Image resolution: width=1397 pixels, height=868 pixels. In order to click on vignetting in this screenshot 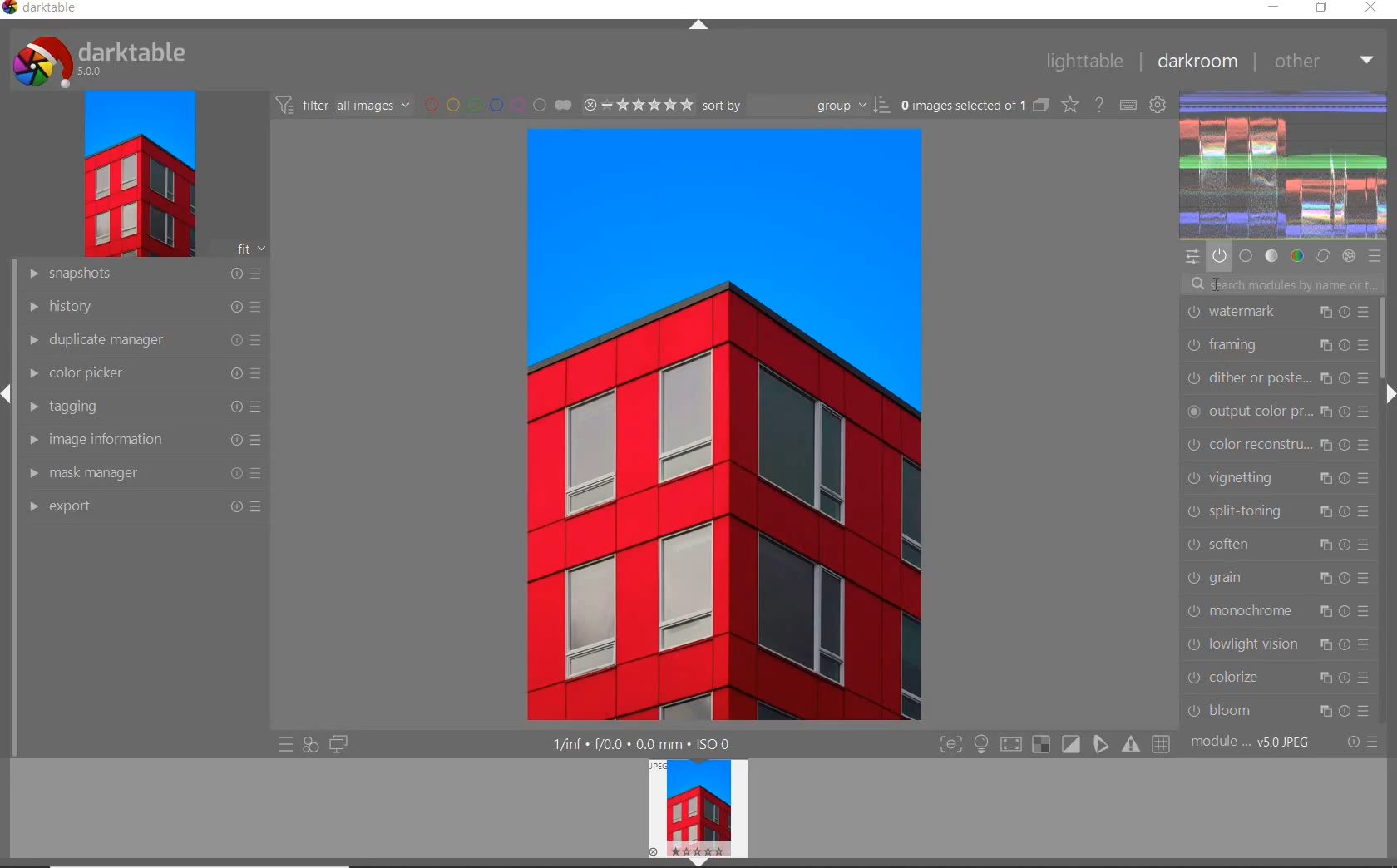, I will do `click(1282, 477)`.